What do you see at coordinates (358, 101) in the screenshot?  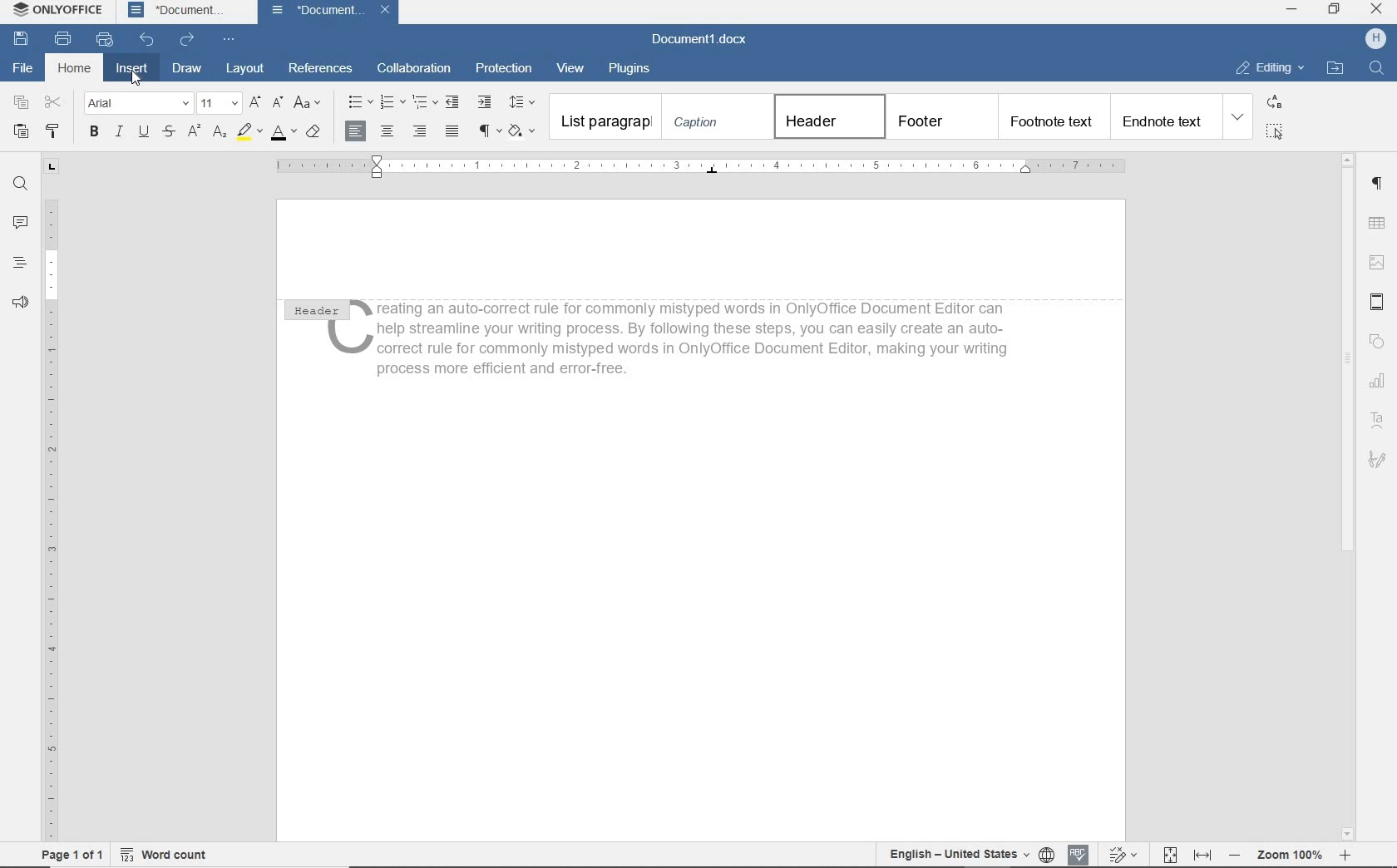 I see `BULLETS` at bounding box center [358, 101].